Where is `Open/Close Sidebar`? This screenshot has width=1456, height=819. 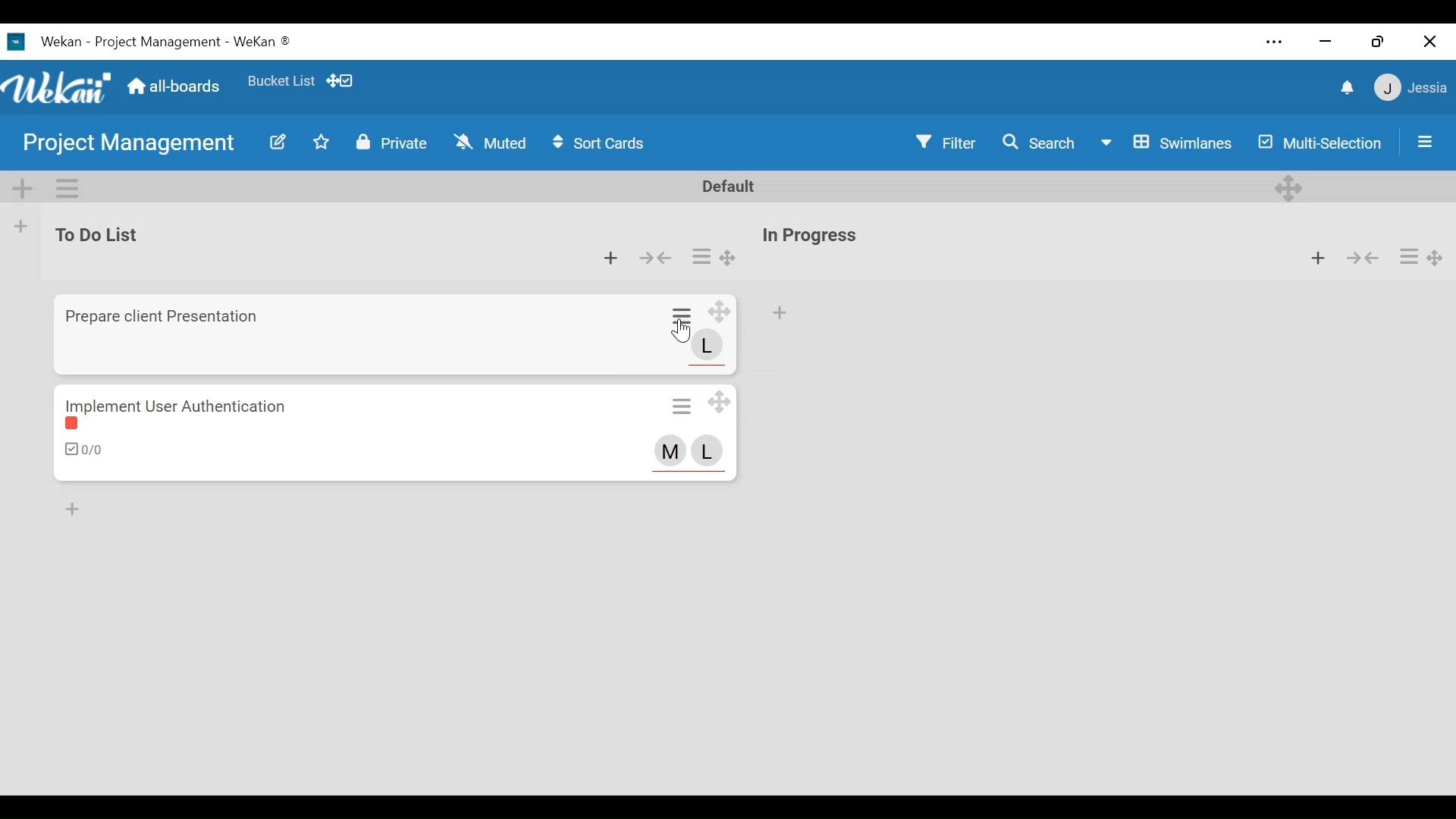 Open/Close Sidebar is located at coordinates (1425, 142).